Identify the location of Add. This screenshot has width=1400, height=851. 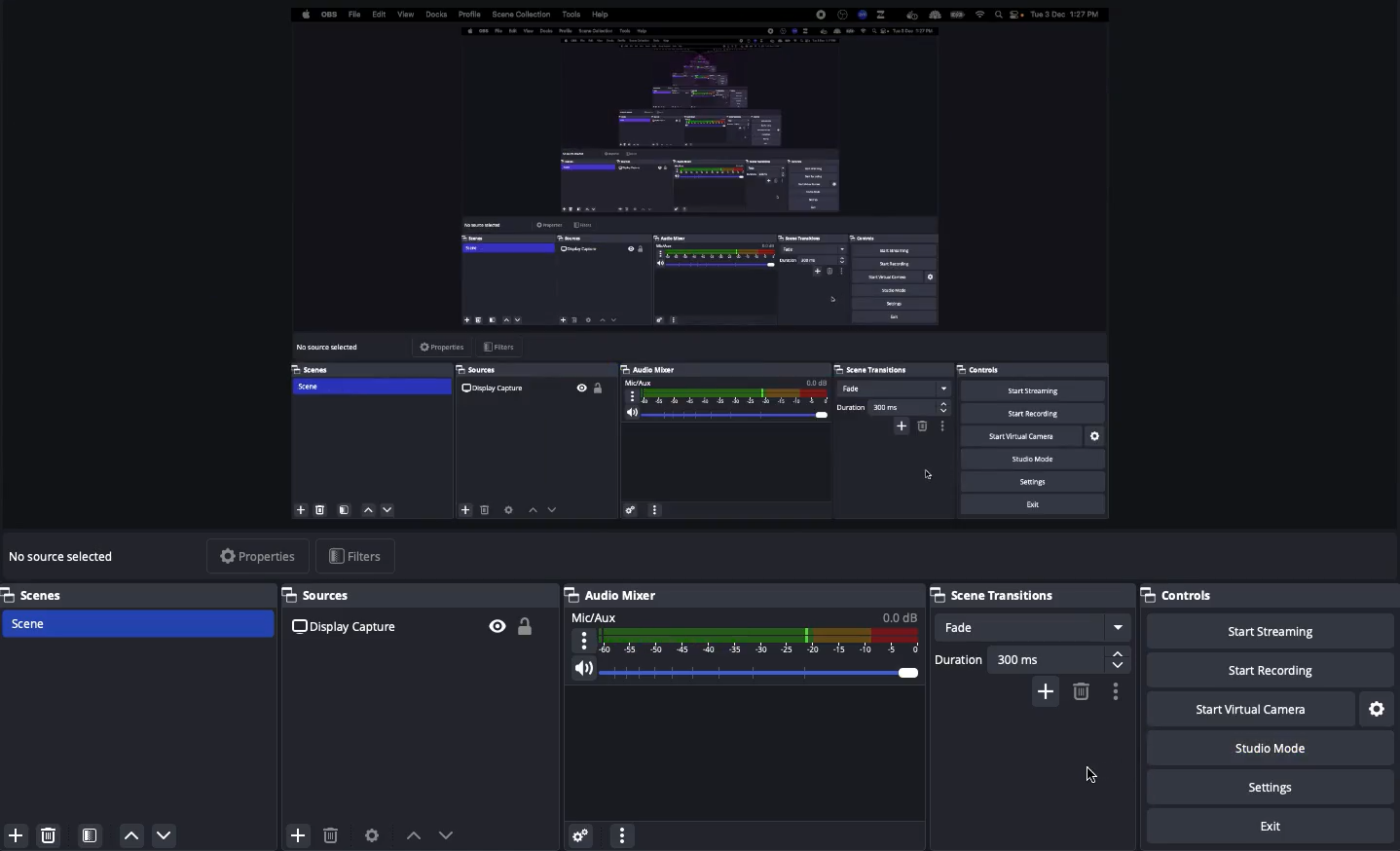
(1046, 692).